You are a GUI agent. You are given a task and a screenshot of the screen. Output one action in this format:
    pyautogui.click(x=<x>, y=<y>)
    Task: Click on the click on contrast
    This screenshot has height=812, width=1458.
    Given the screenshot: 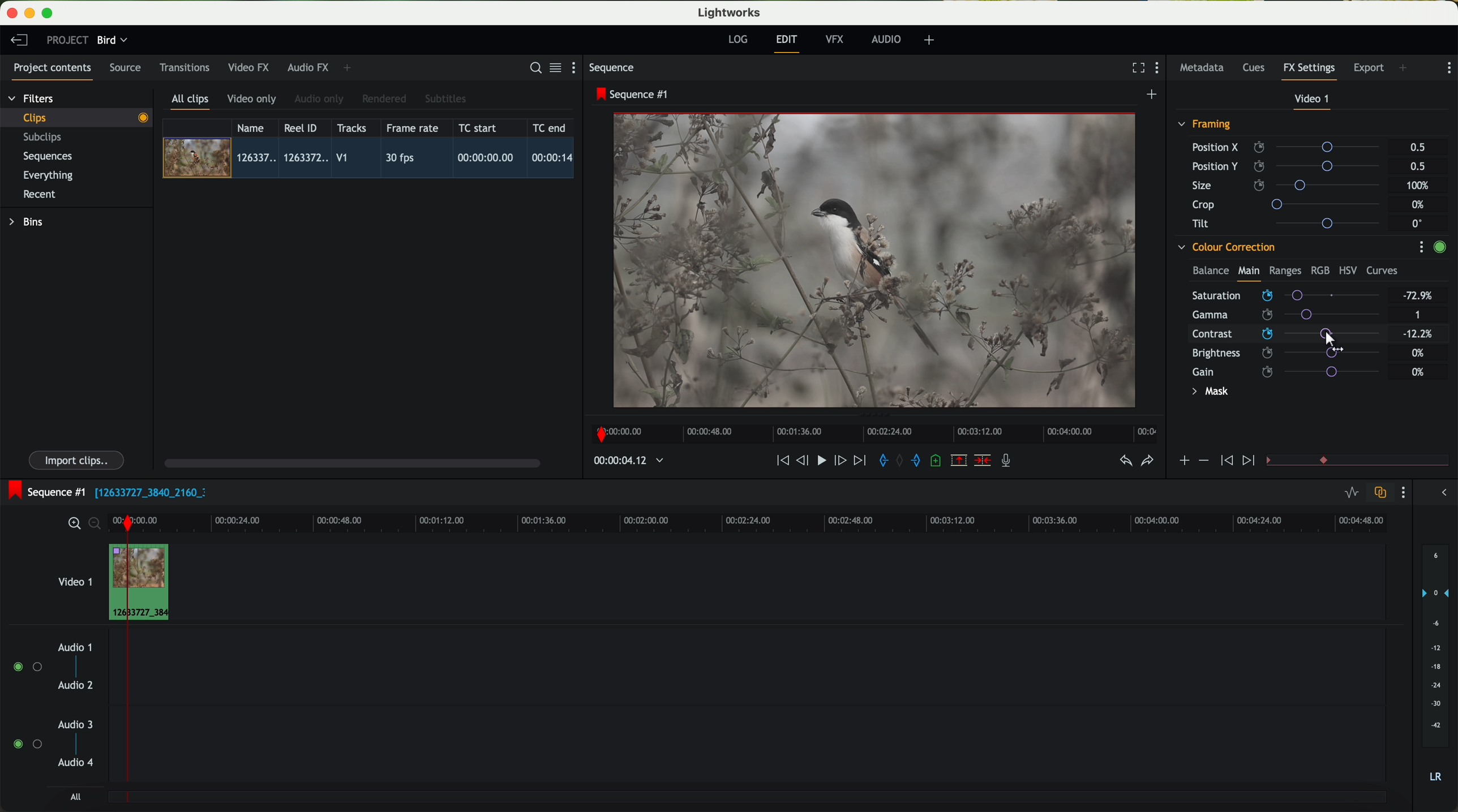 What is the action you would take?
    pyautogui.click(x=1286, y=335)
    